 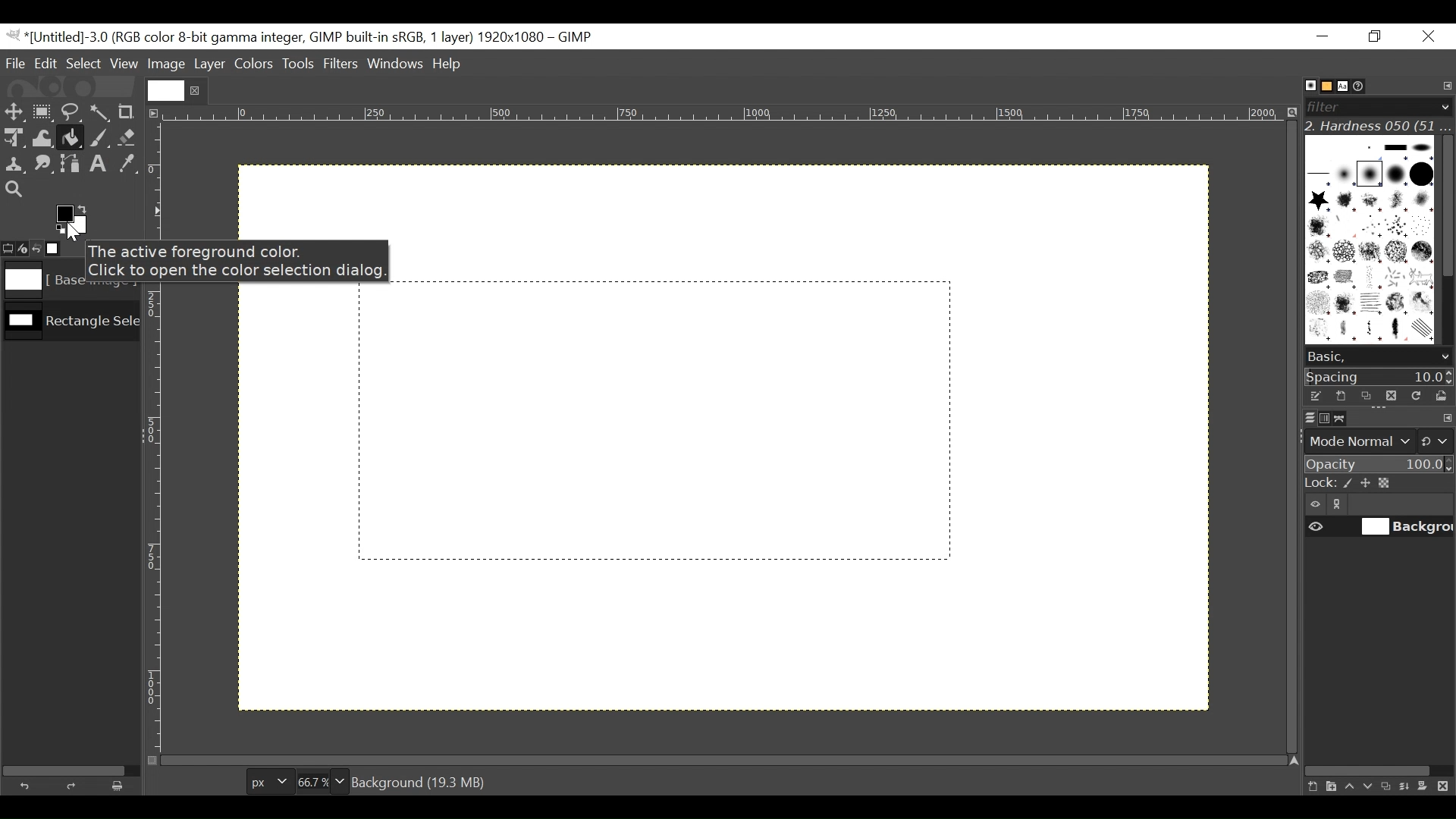 What do you see at coordinates (42, 140) in the screenshot?
I see `Warp Transform` at bounding box center [42, 140].